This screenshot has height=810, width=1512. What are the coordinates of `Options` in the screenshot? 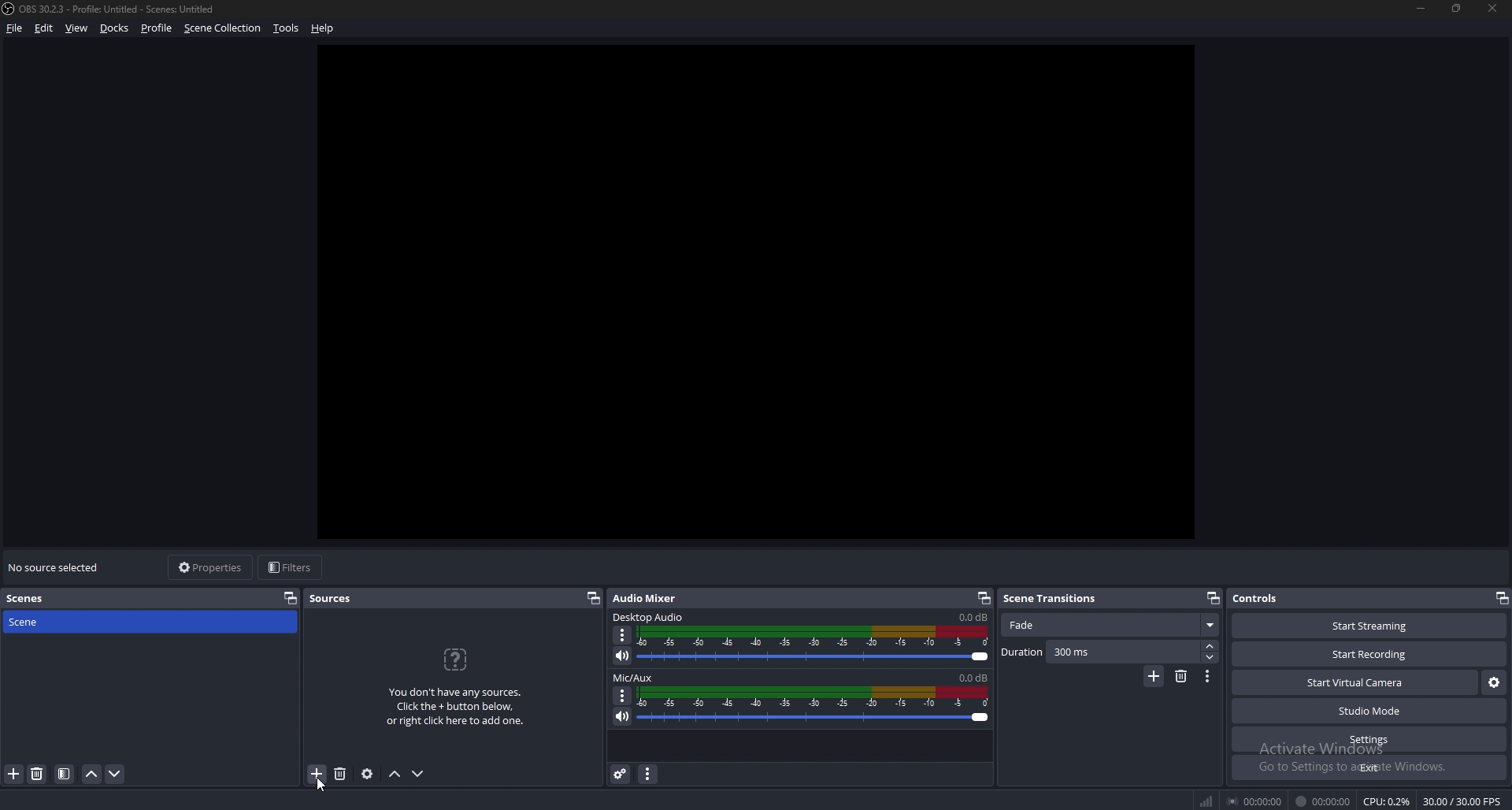 It's located at (623, 695).